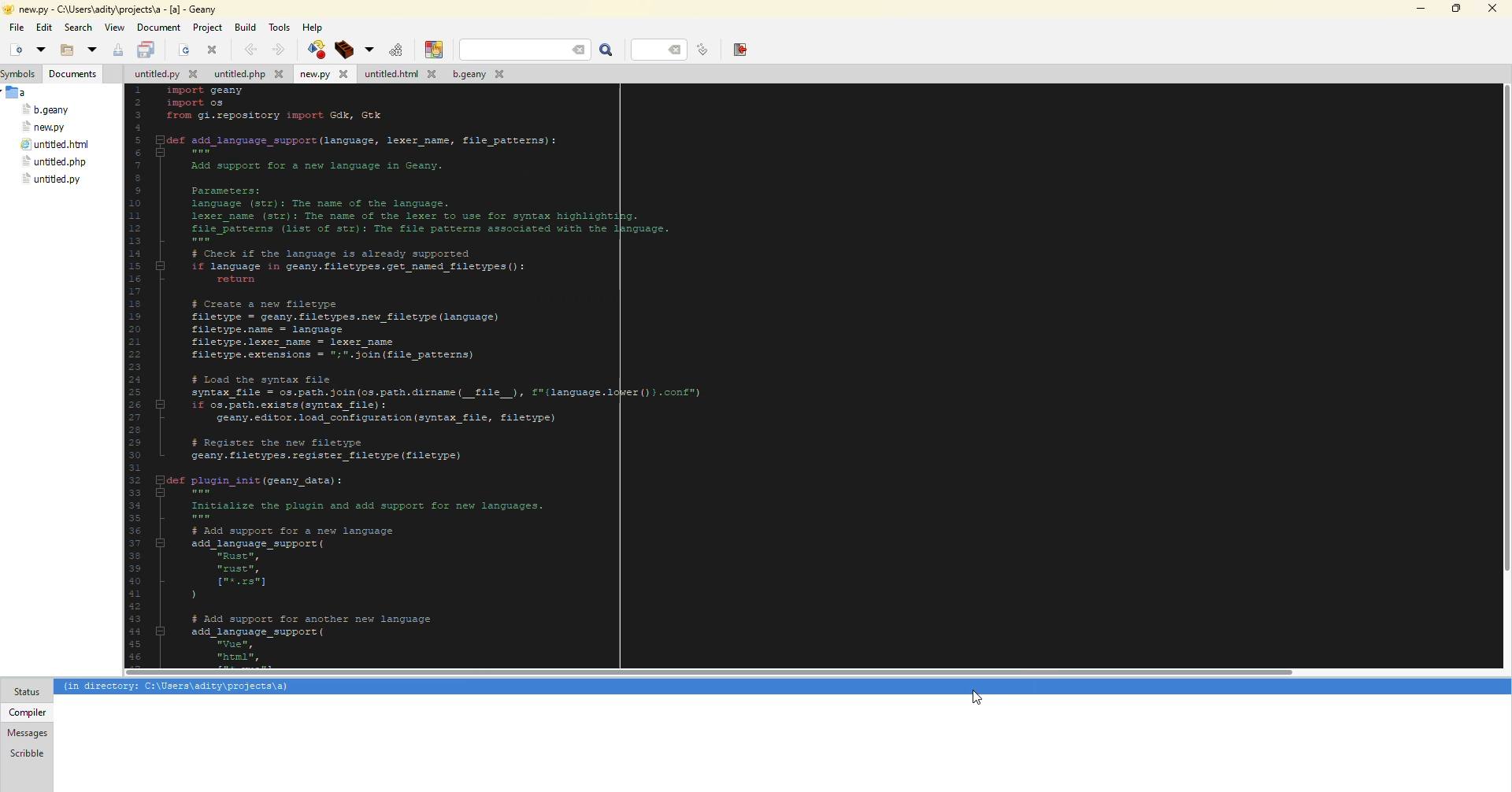 The image size is (1512, 792). Describe the element at coordinates (114, 28) in the screenshot. I see `view` at that location.